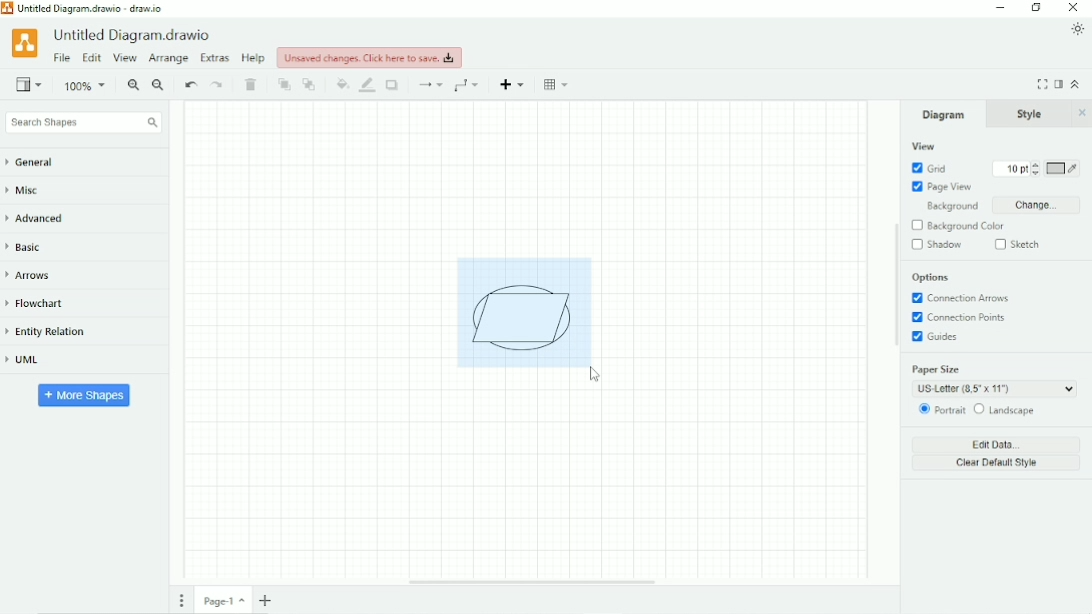 This screenshot has width=1092, height=614. Describe the element at coordinates (342, 84) in the screenshot. I see `Fill color` at that location.